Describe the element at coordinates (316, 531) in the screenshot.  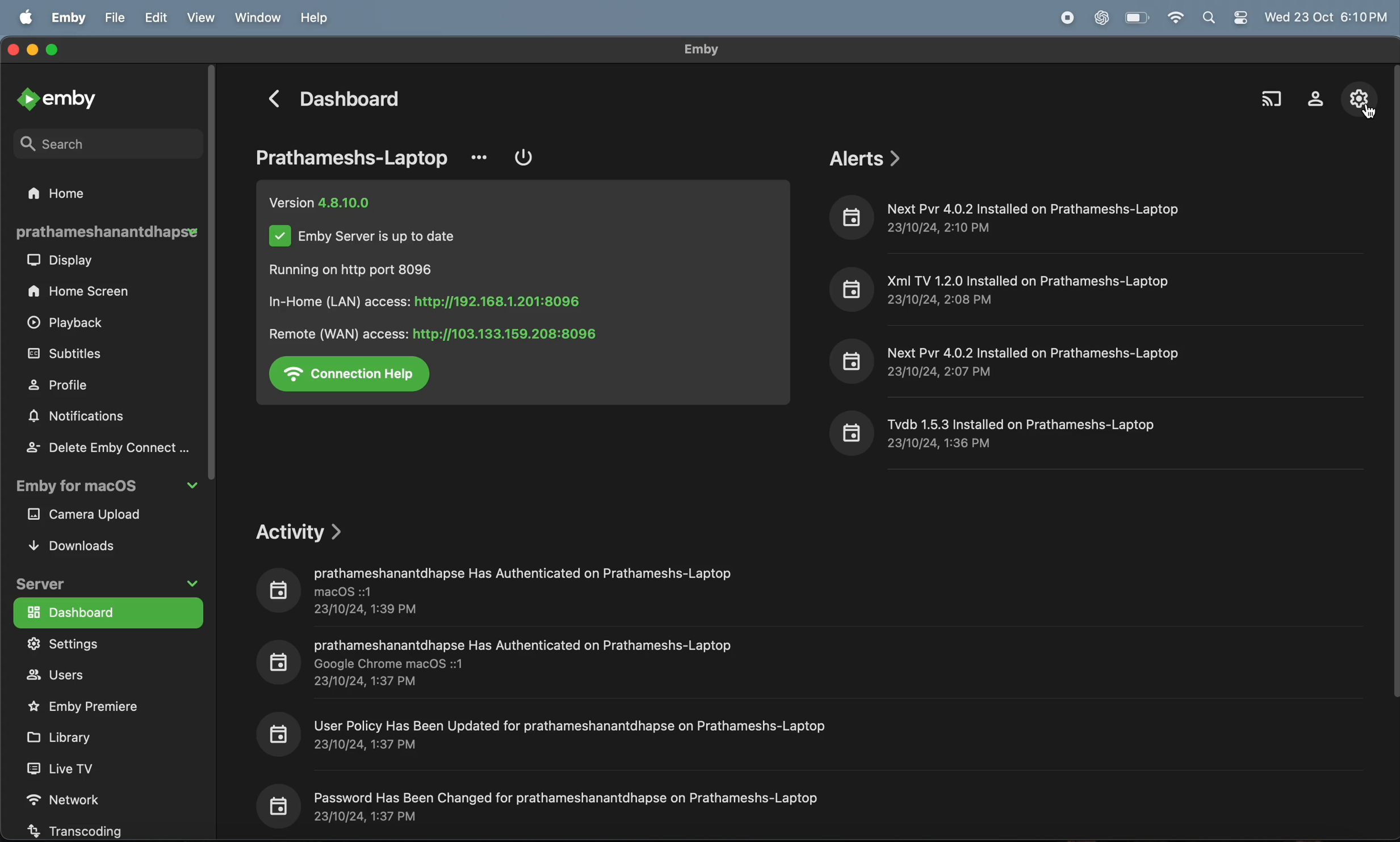
I see `activity` at that location.